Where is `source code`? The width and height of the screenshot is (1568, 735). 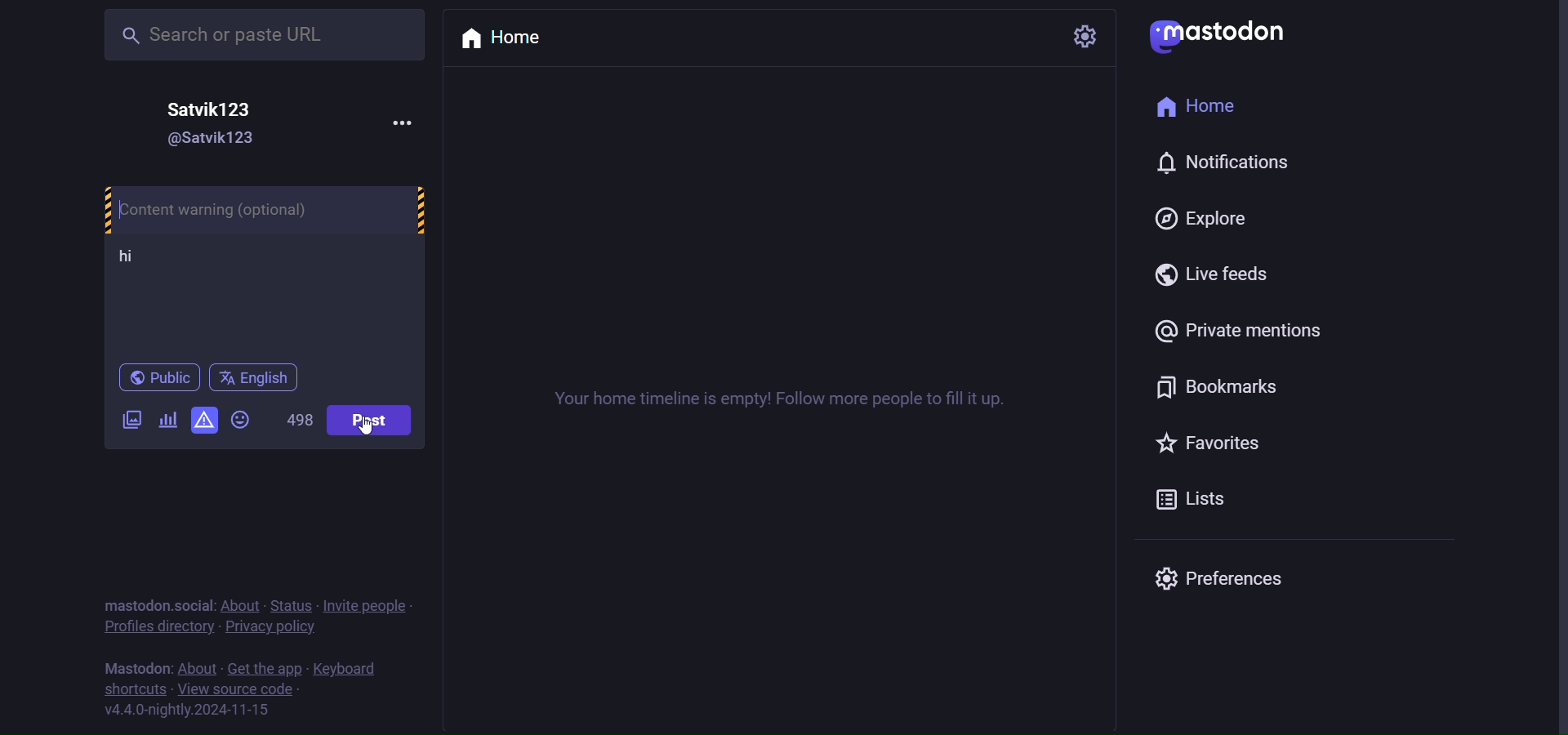 source code is located at coordinates (238, 691).